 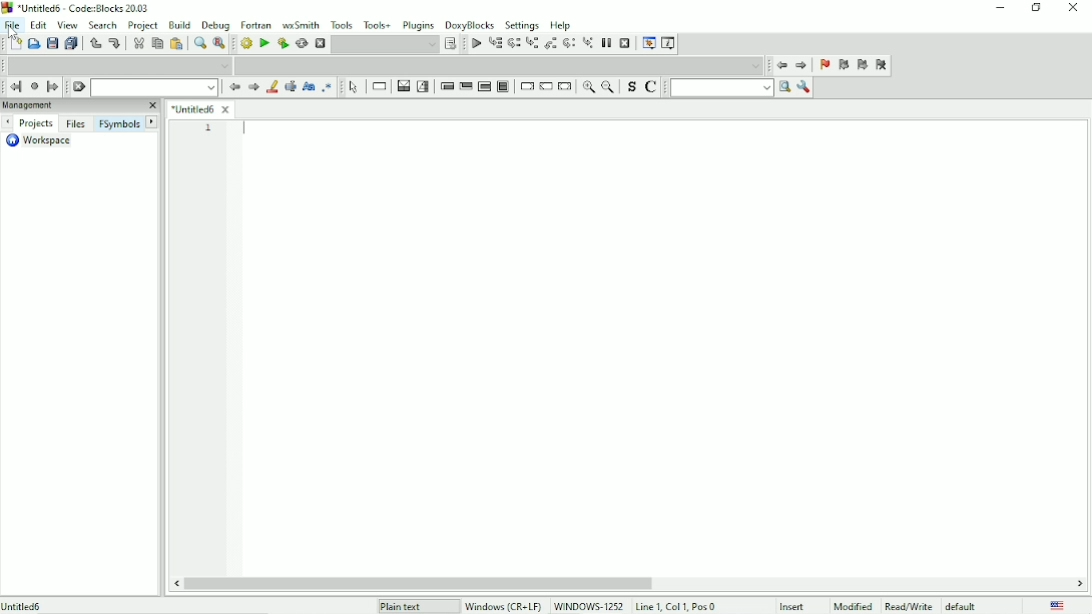 I want to click on Horizontal scrollbar, so click(x=417, y=582).